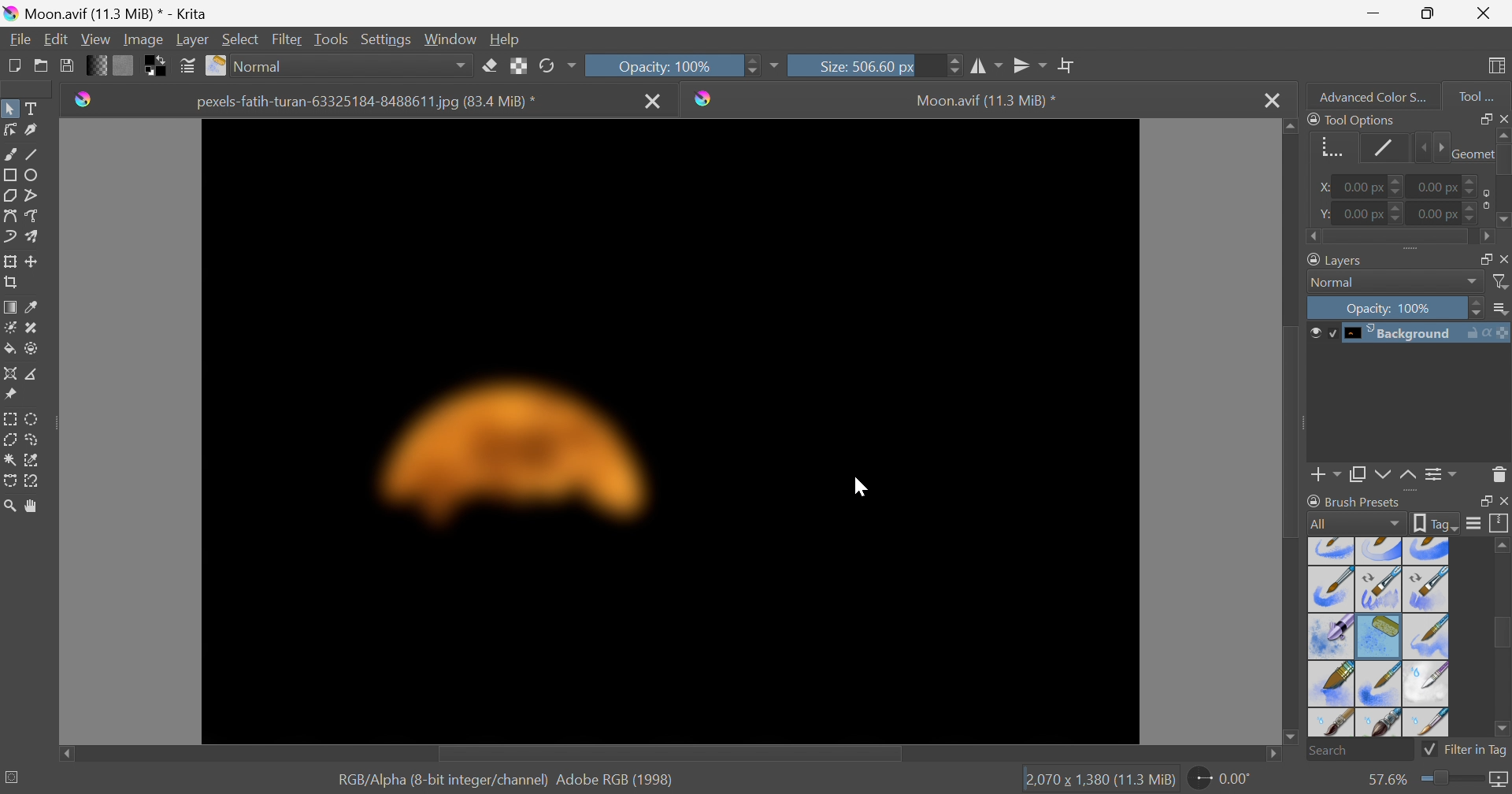 The image size is (1512, 794). Describe the element at coordinates (33, 420) in the screenshot. I see `Elliptical selection tool` at that location.